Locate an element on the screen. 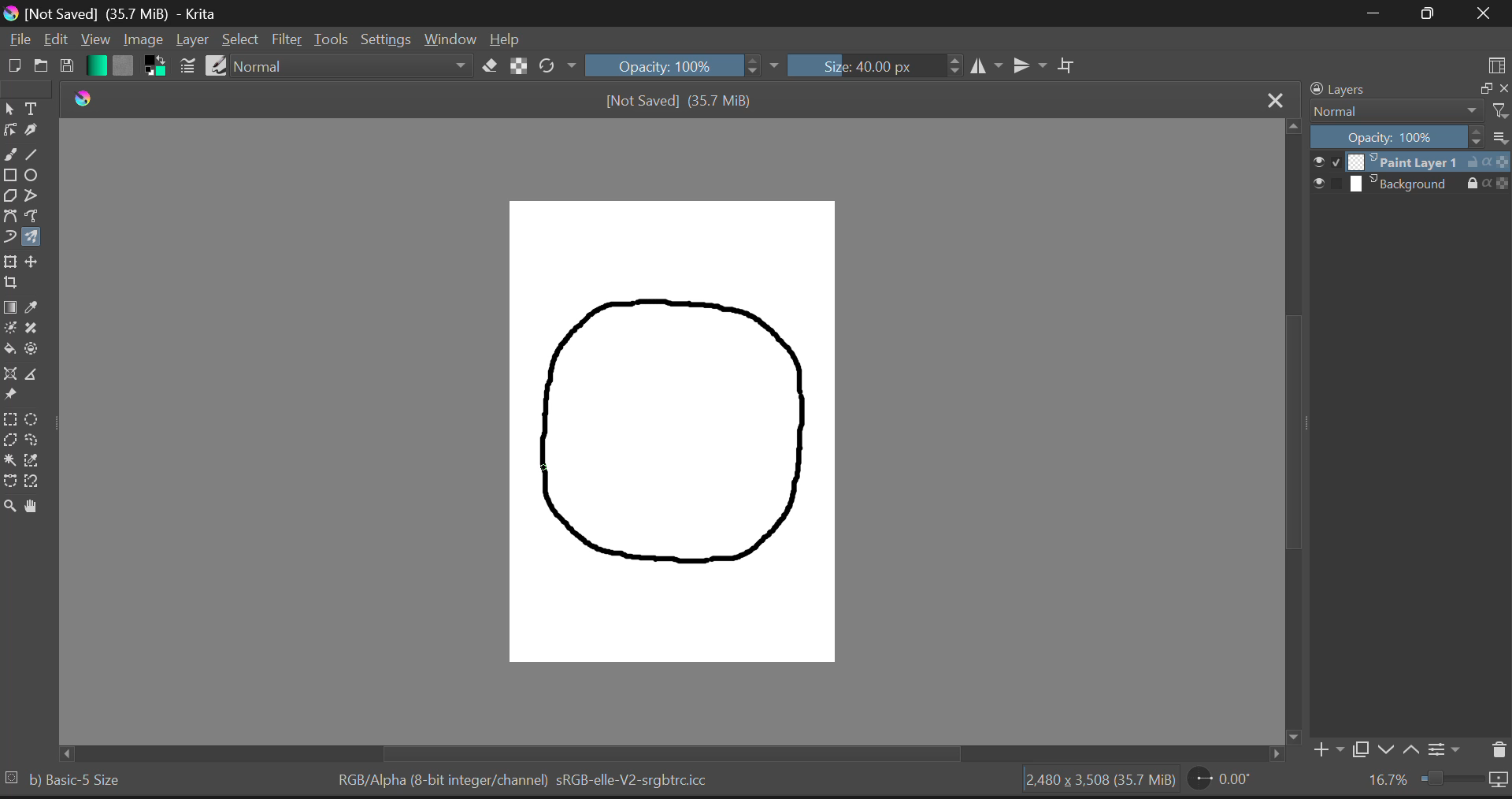 This screenshot has height=799, width=1512. Tools is located at coordinates (332, 40).